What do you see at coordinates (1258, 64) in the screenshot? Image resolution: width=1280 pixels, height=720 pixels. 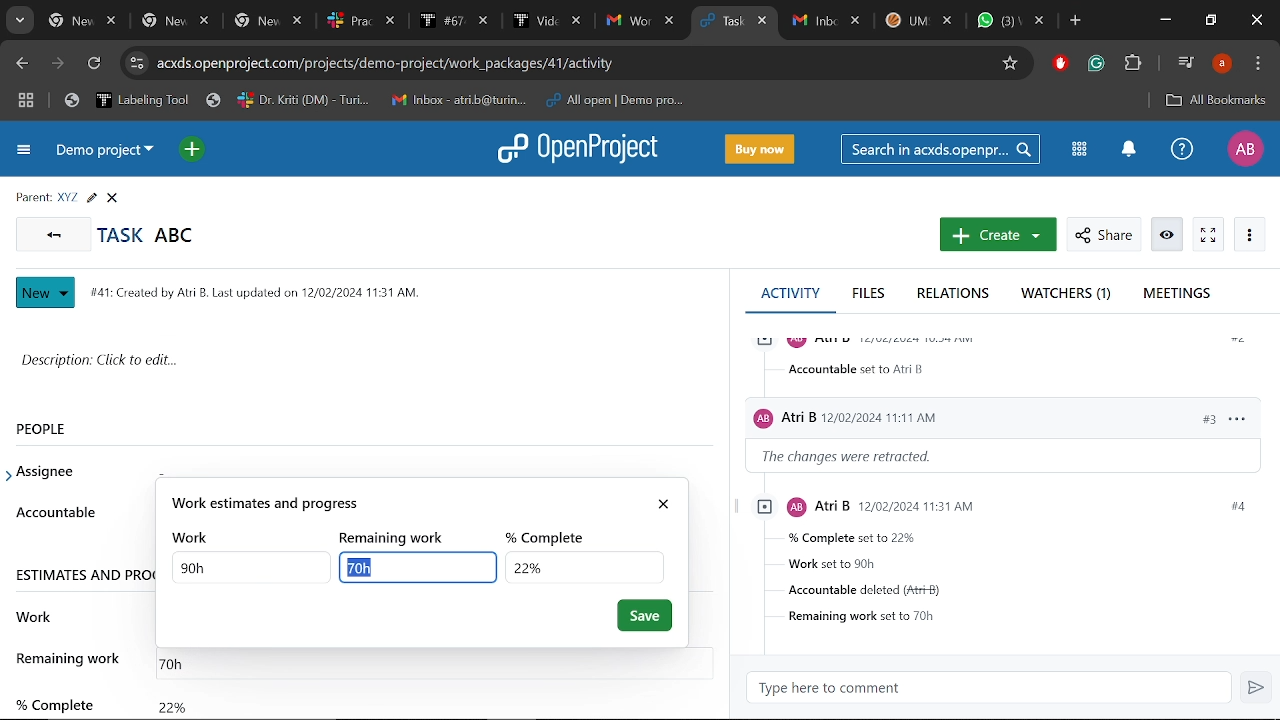 I see `Control and customize chrome` at bounding box center [1258, 64].